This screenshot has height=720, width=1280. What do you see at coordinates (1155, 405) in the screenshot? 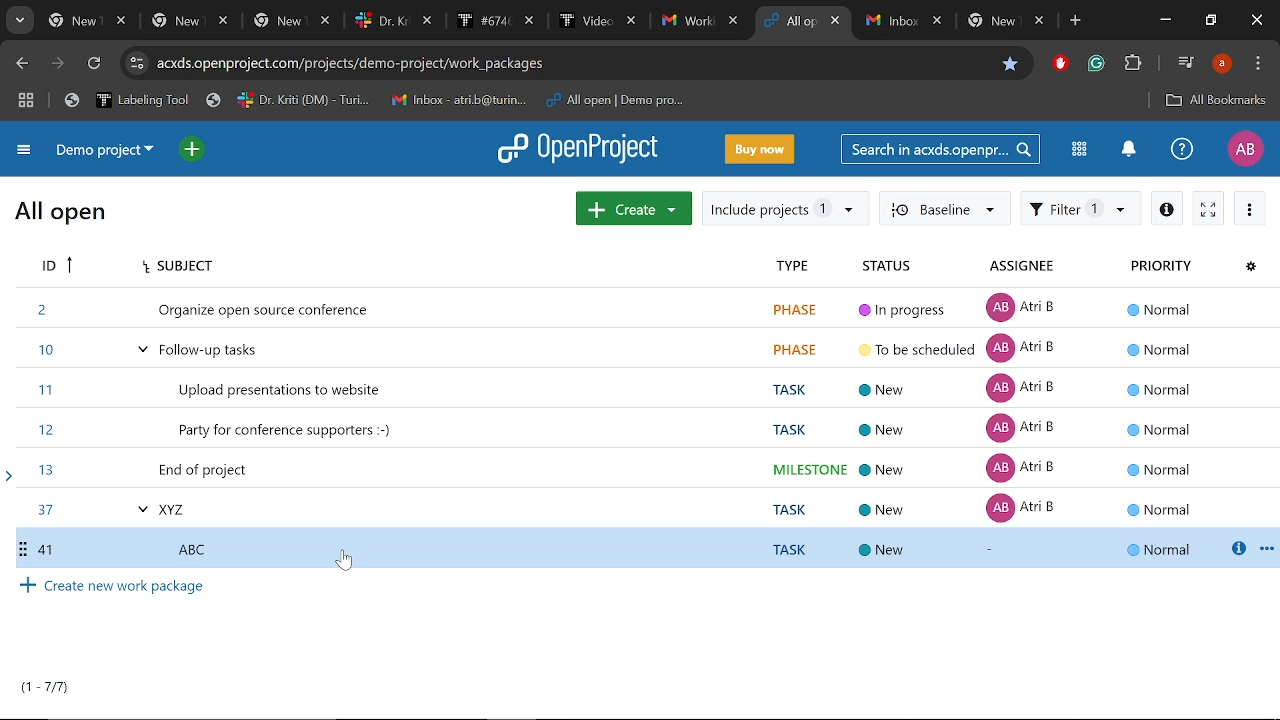
I see `priority` at bounding box center [1155, 405].